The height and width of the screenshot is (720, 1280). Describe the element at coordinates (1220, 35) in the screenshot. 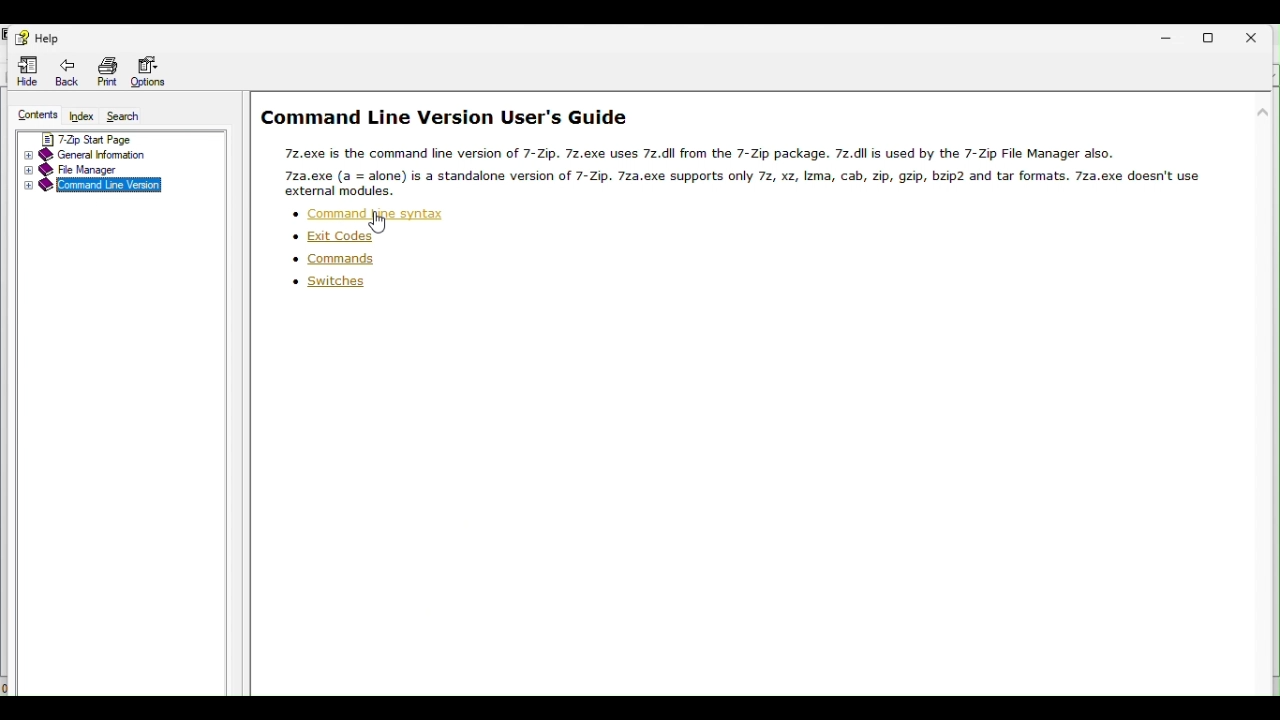

I see `restore ` at that location.